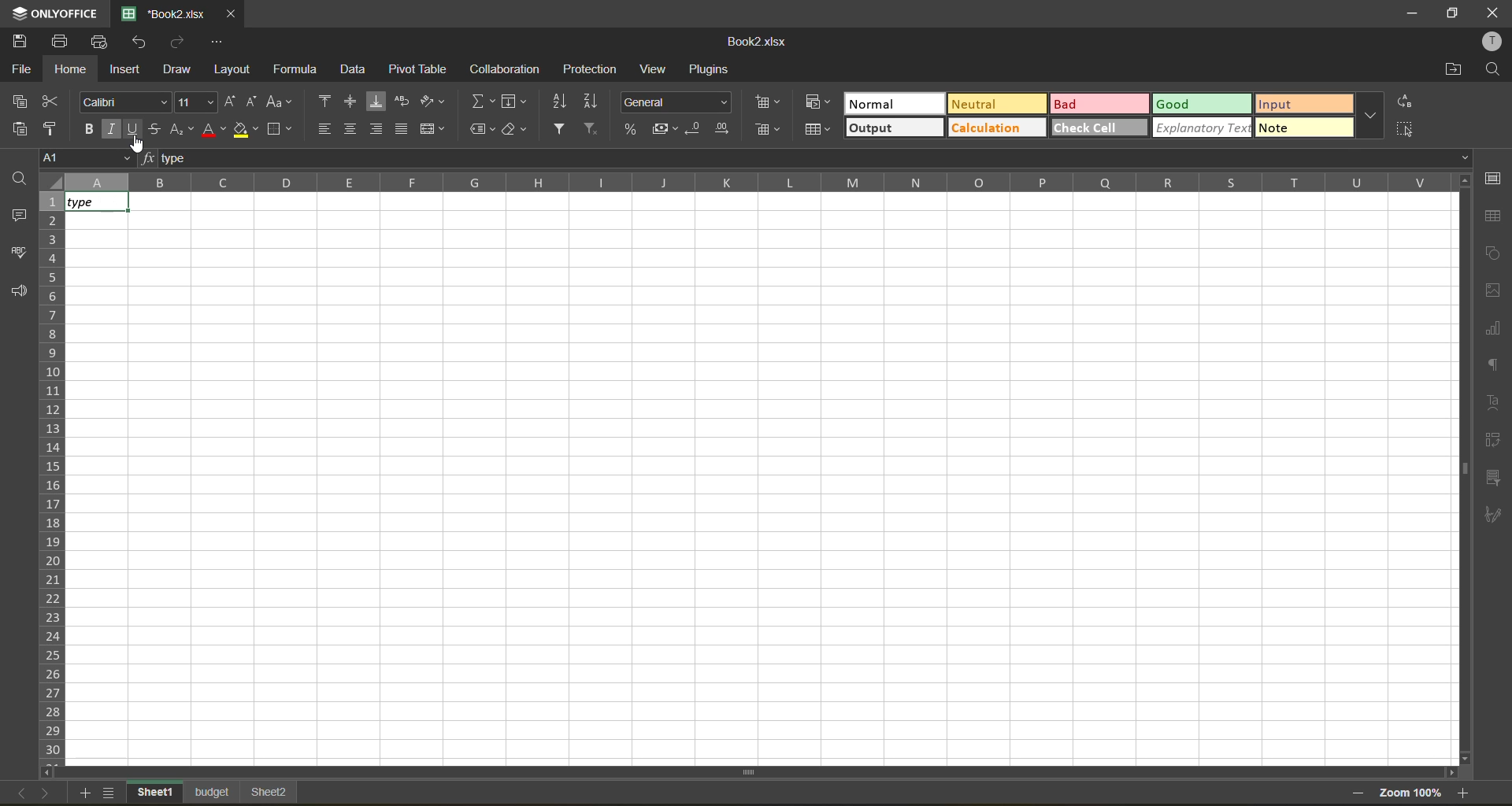 The image size is (1512, 806). I want to click on justified, so click(401, 128).